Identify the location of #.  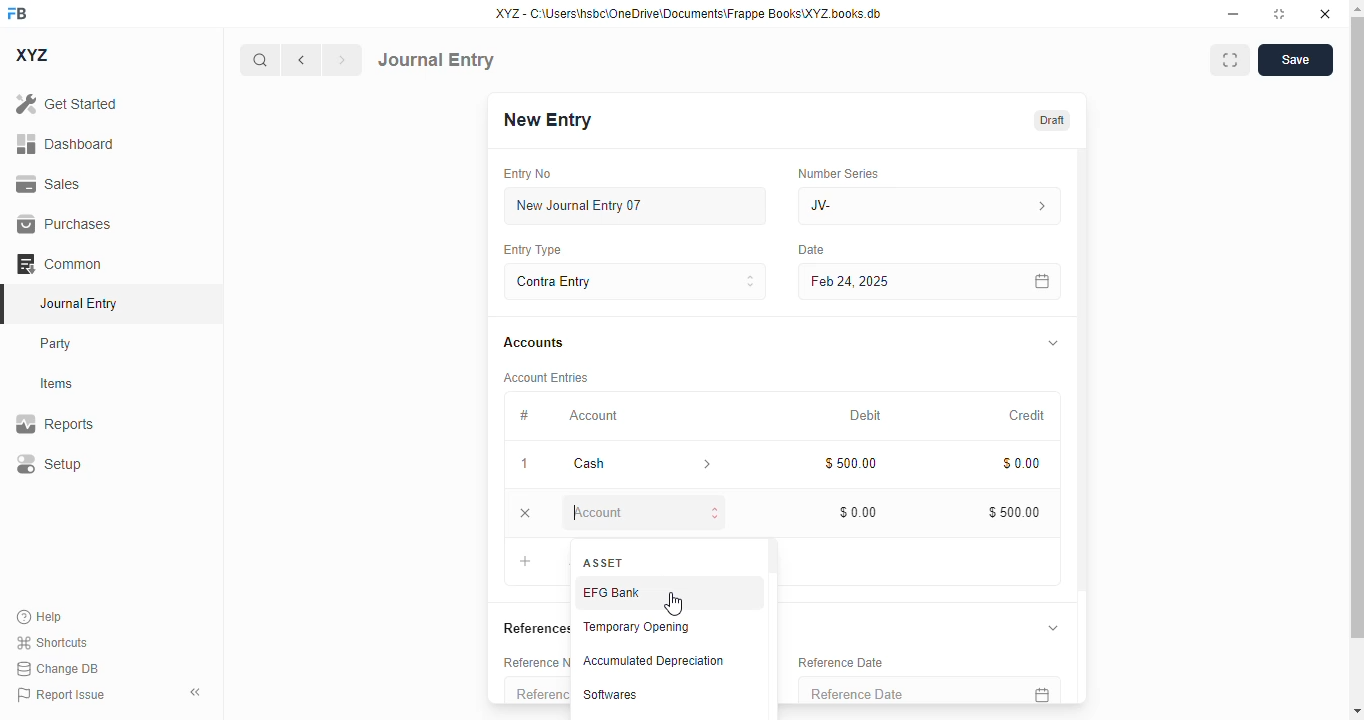
(525, 415).